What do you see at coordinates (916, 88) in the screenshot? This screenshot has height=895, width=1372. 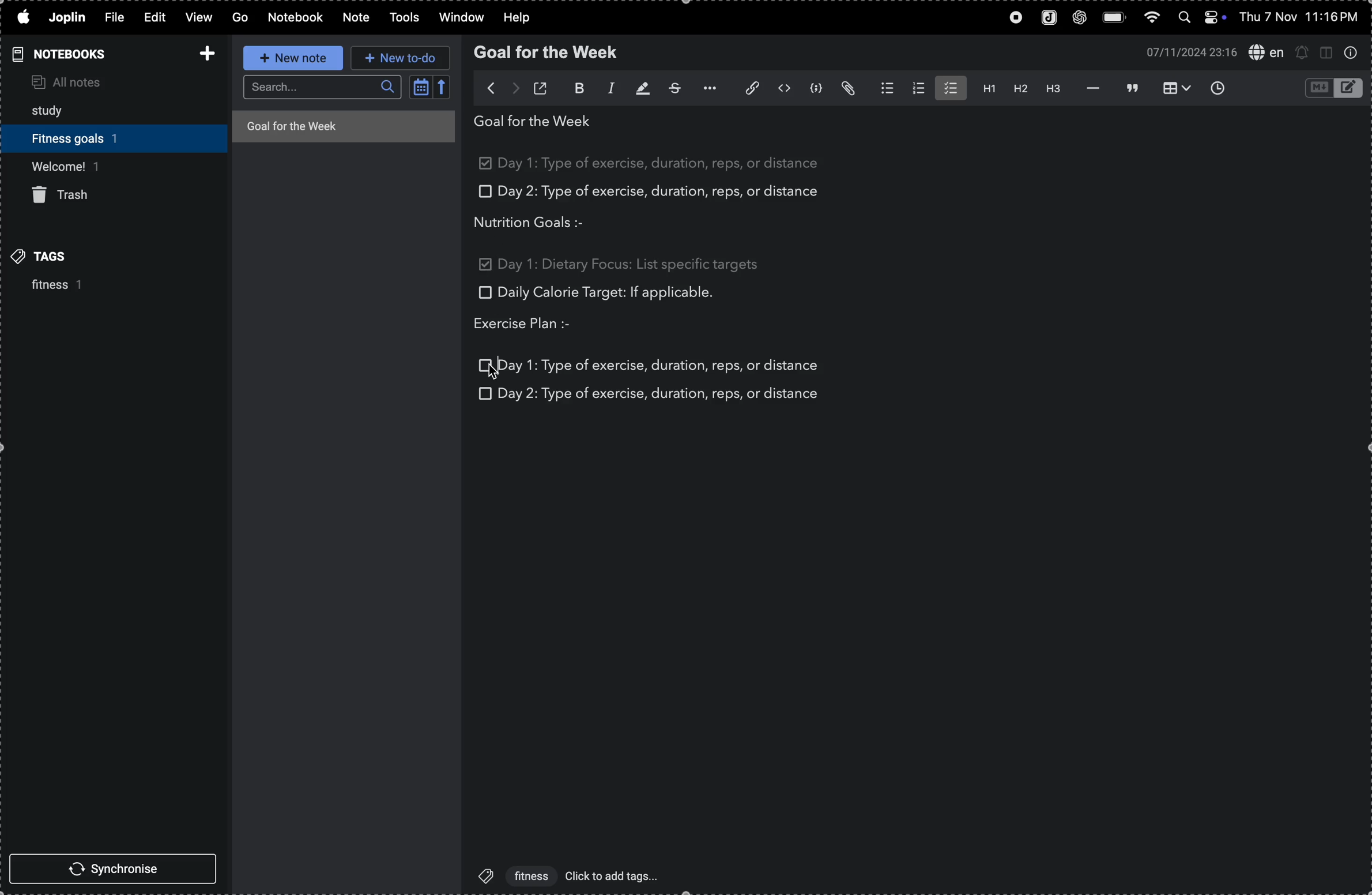 I see `number list` at bounding box center [916, 88].